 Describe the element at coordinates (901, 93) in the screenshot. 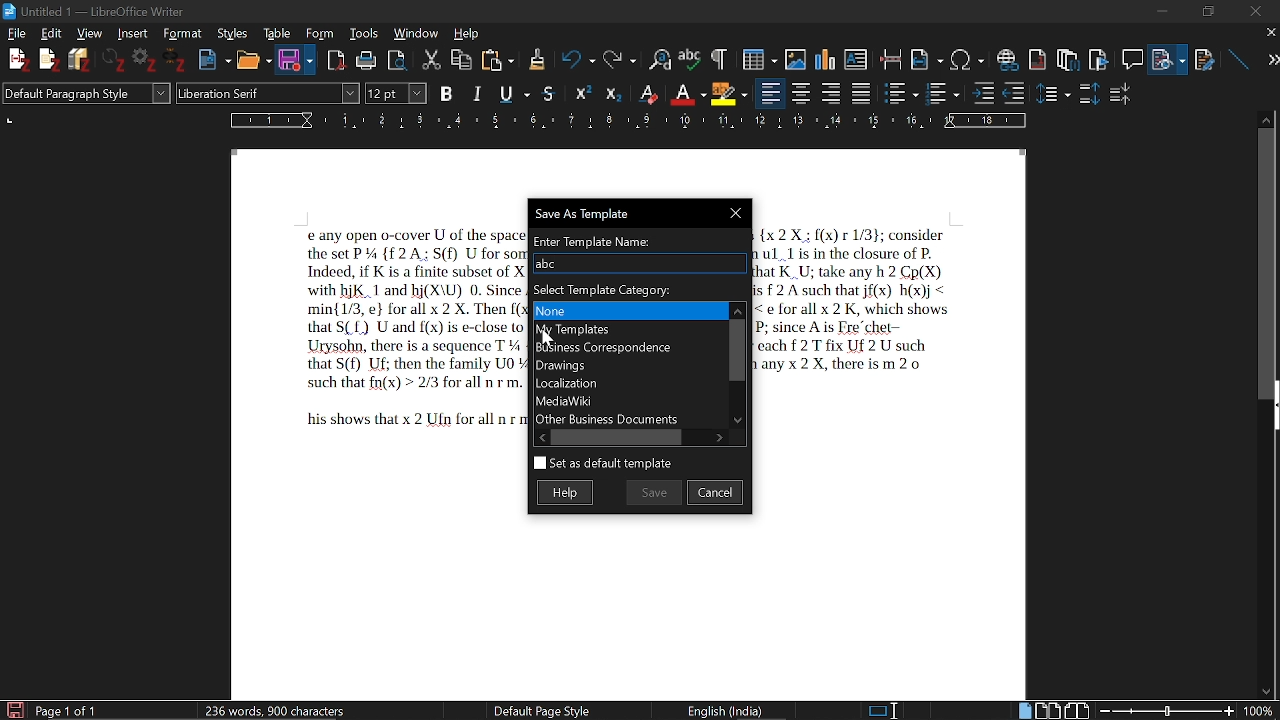

I see `toggled unordered list` at that location.